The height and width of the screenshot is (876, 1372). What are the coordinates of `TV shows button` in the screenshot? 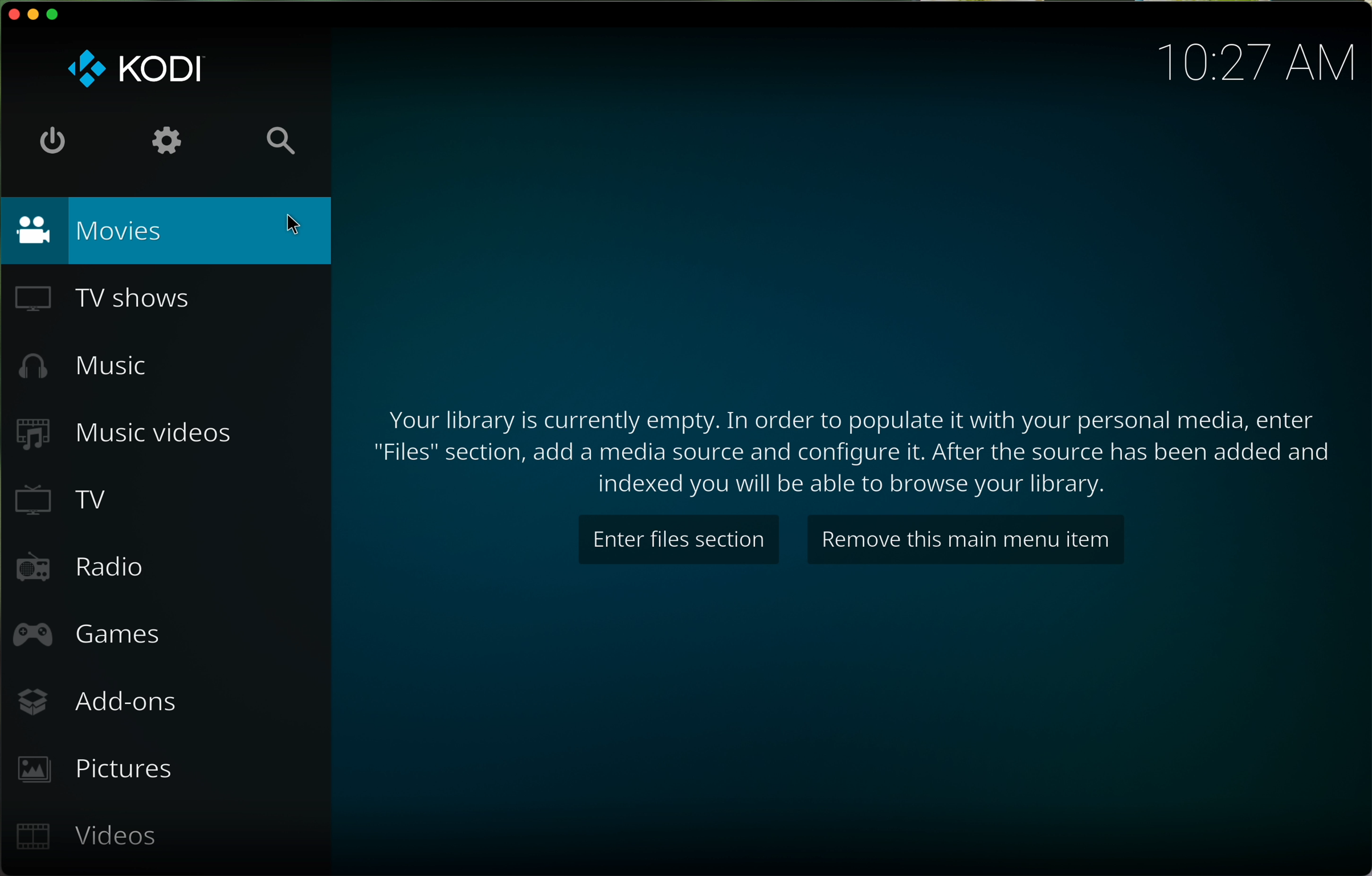 It's located at (100, 297).